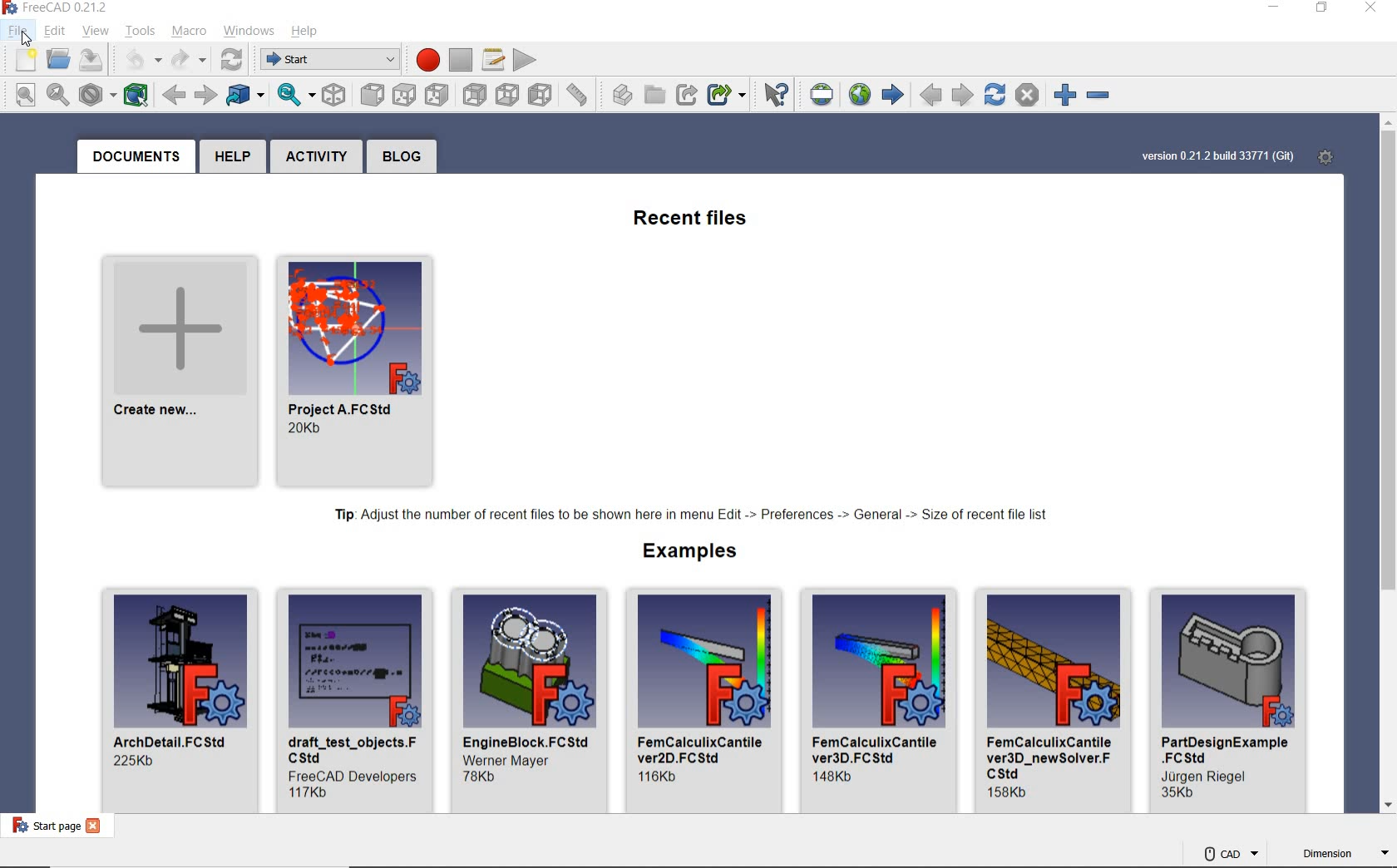  What do you see at coordinates (93, 31) in the screenshot?
I see `VIEW` at bounding box center [93, 31].